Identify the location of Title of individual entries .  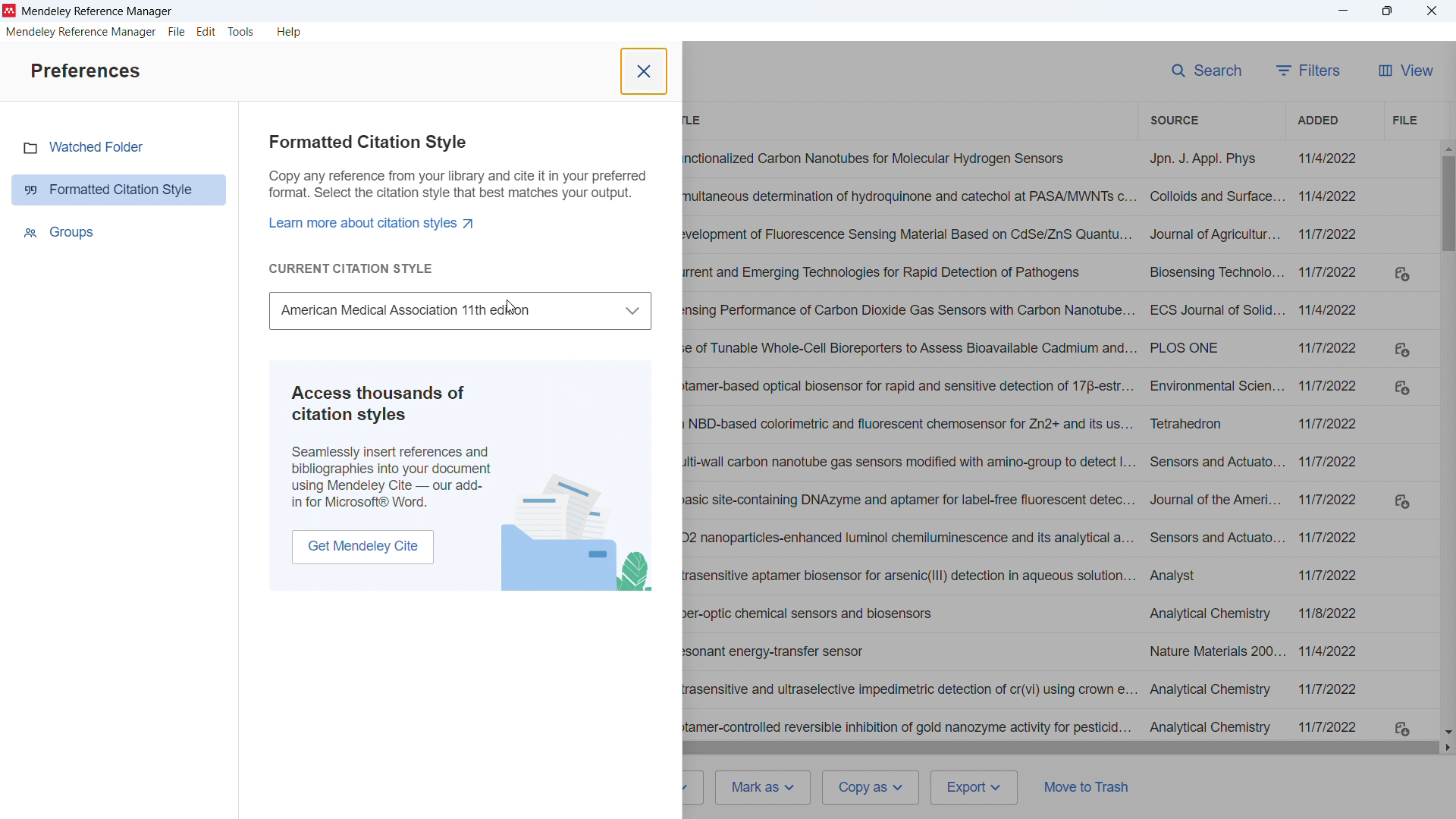
(908, 444).